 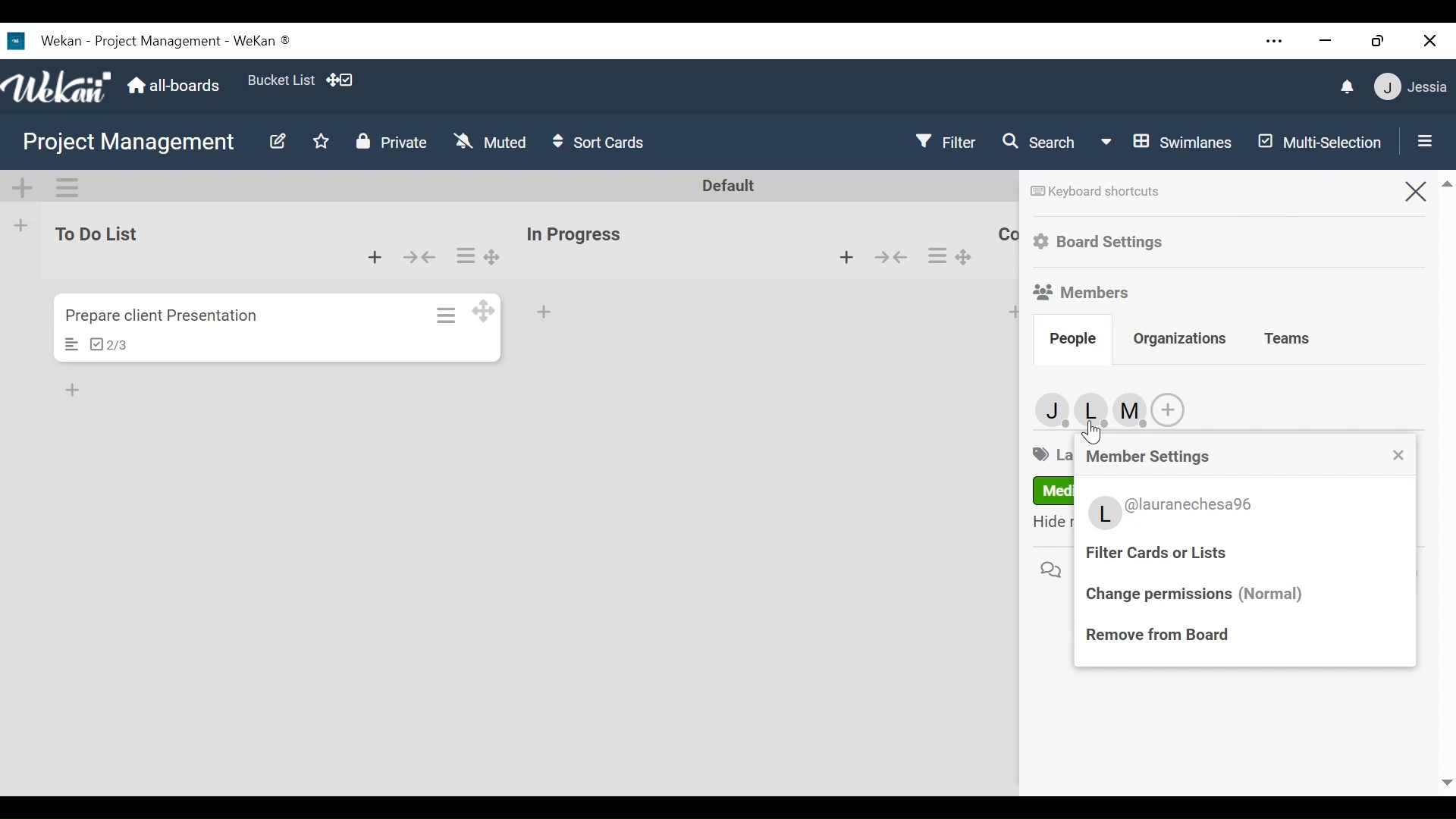 What do you see at coordinates (1200, 596) in the screenshot?
I see `Change permissions` at bounding box center [1200, 596].